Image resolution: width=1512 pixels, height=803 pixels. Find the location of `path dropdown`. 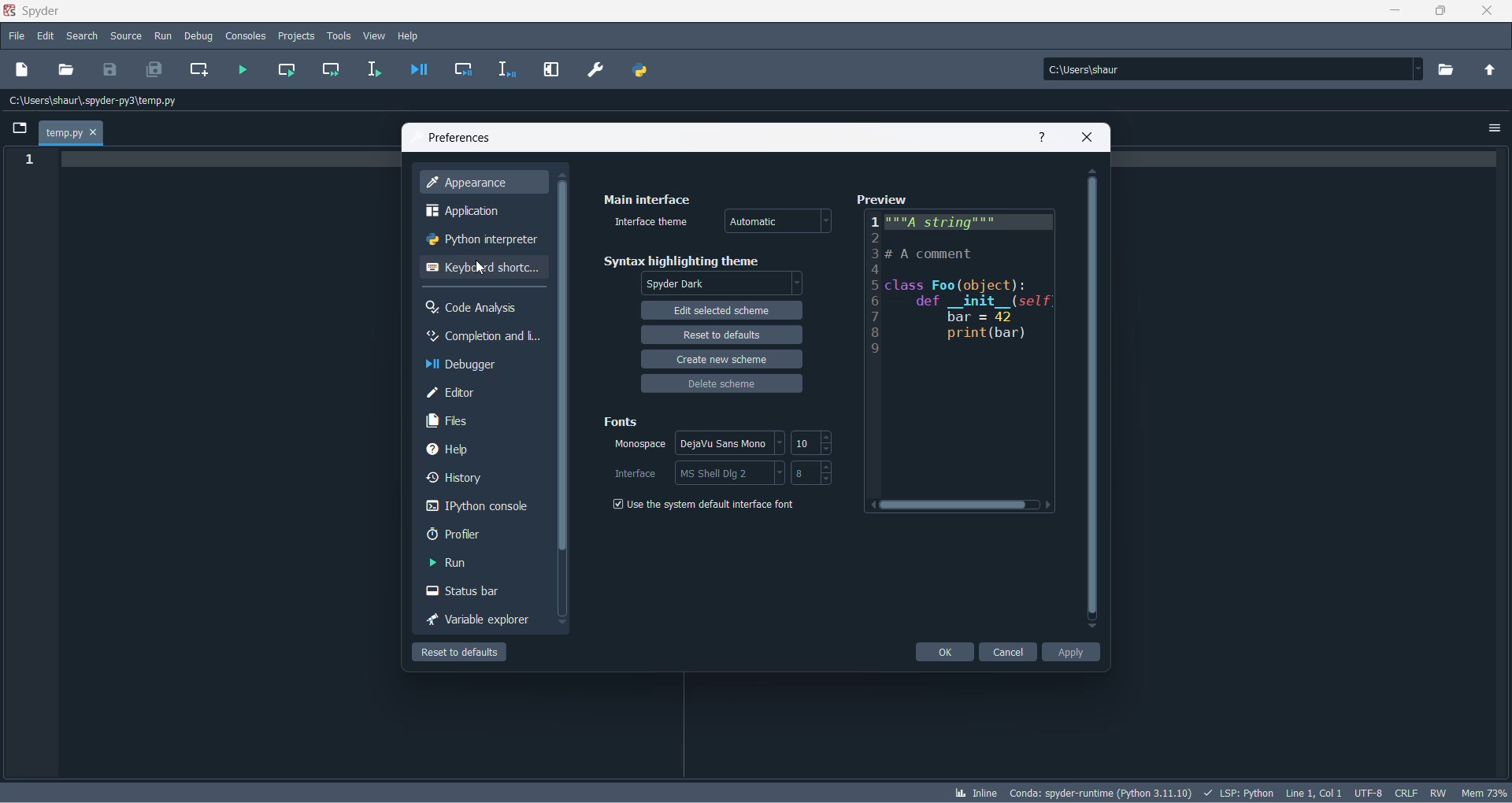

path dropdown is located at coordinates (1421, 71).